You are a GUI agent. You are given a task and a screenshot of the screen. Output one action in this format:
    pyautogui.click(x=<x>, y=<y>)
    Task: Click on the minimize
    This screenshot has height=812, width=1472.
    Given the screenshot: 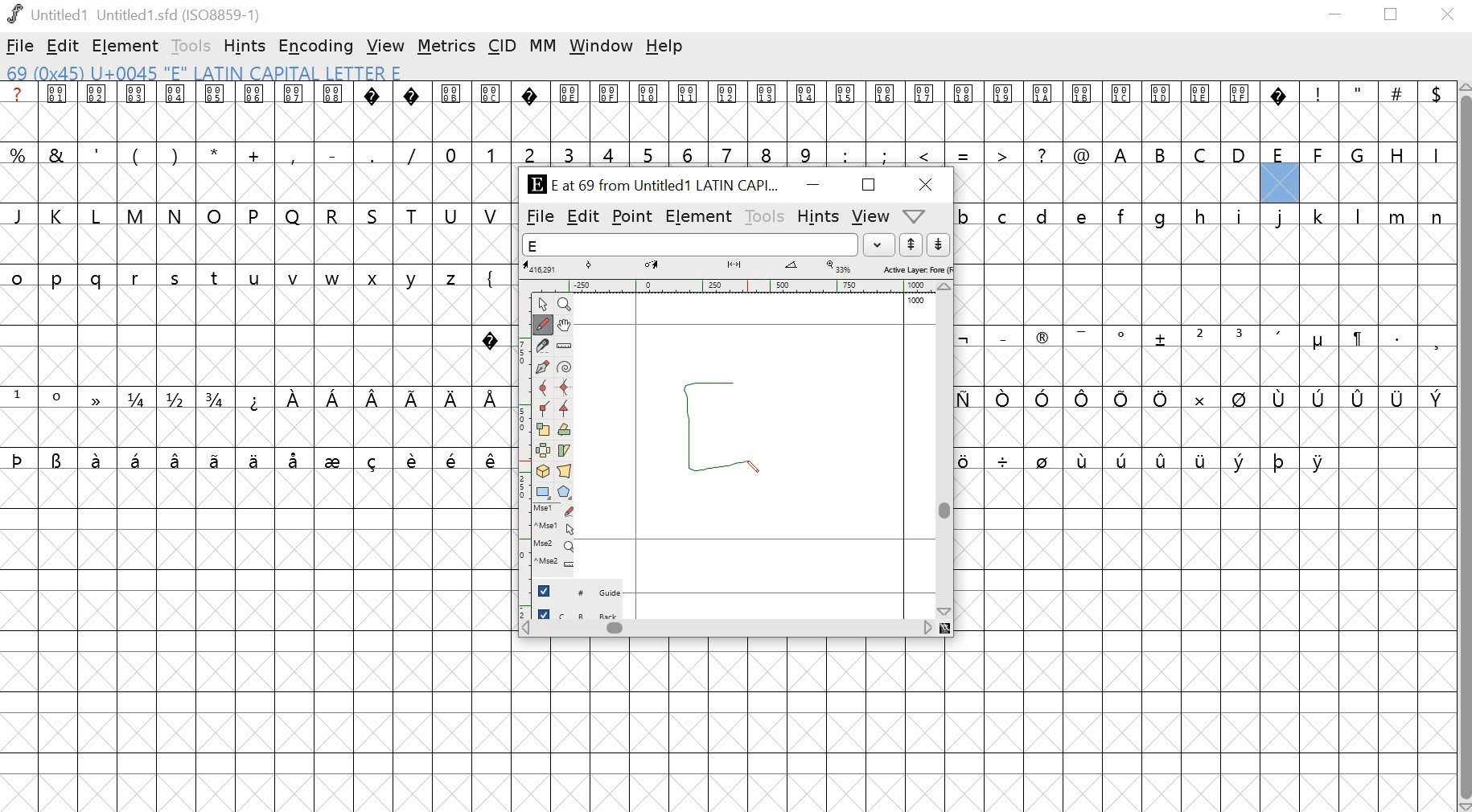 What is the action you would take?
    pyautogui.click(x=1336, y=17)
    